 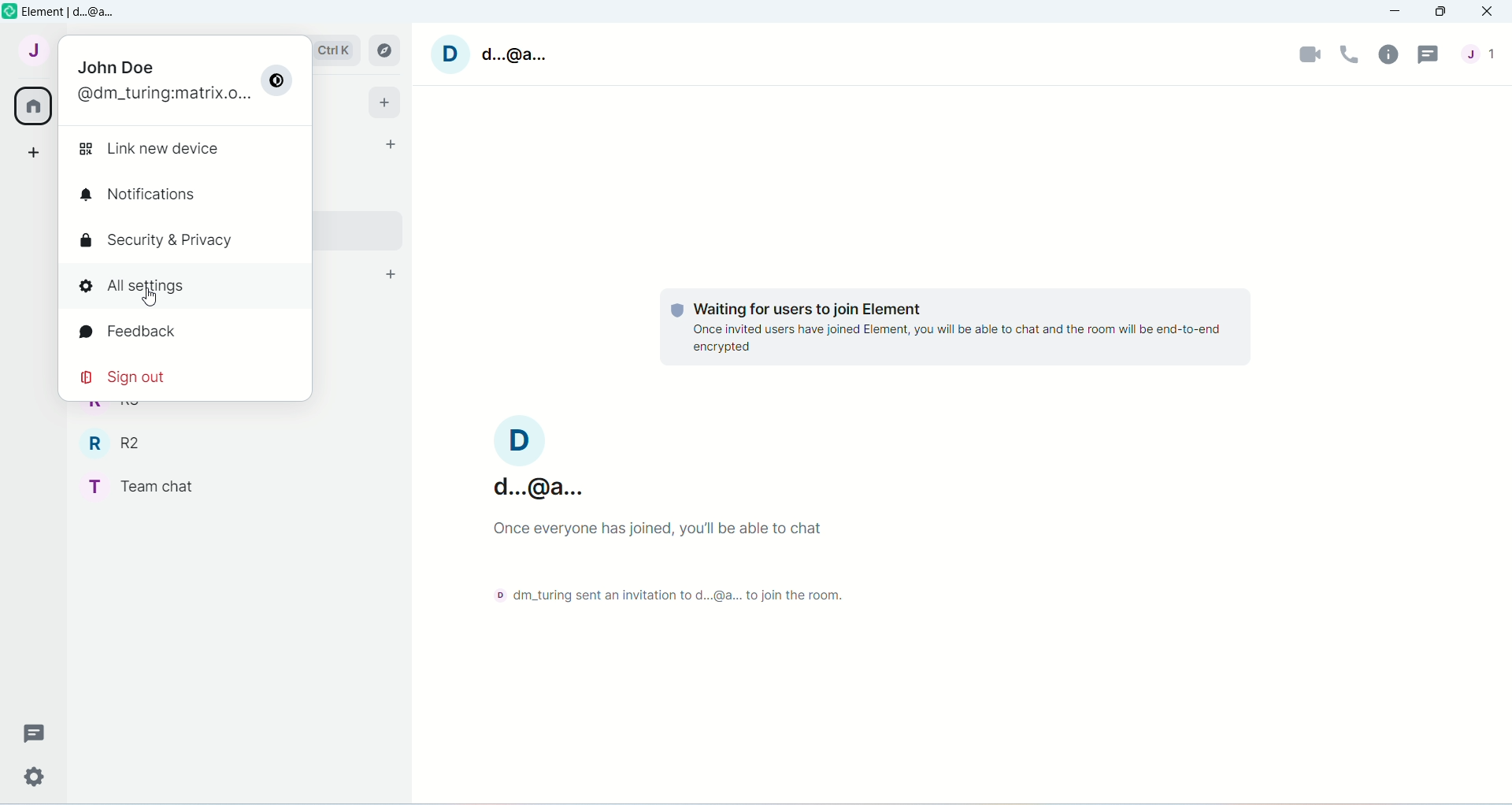 I want to click on Security and Privacy, so click(x=157, y=243).